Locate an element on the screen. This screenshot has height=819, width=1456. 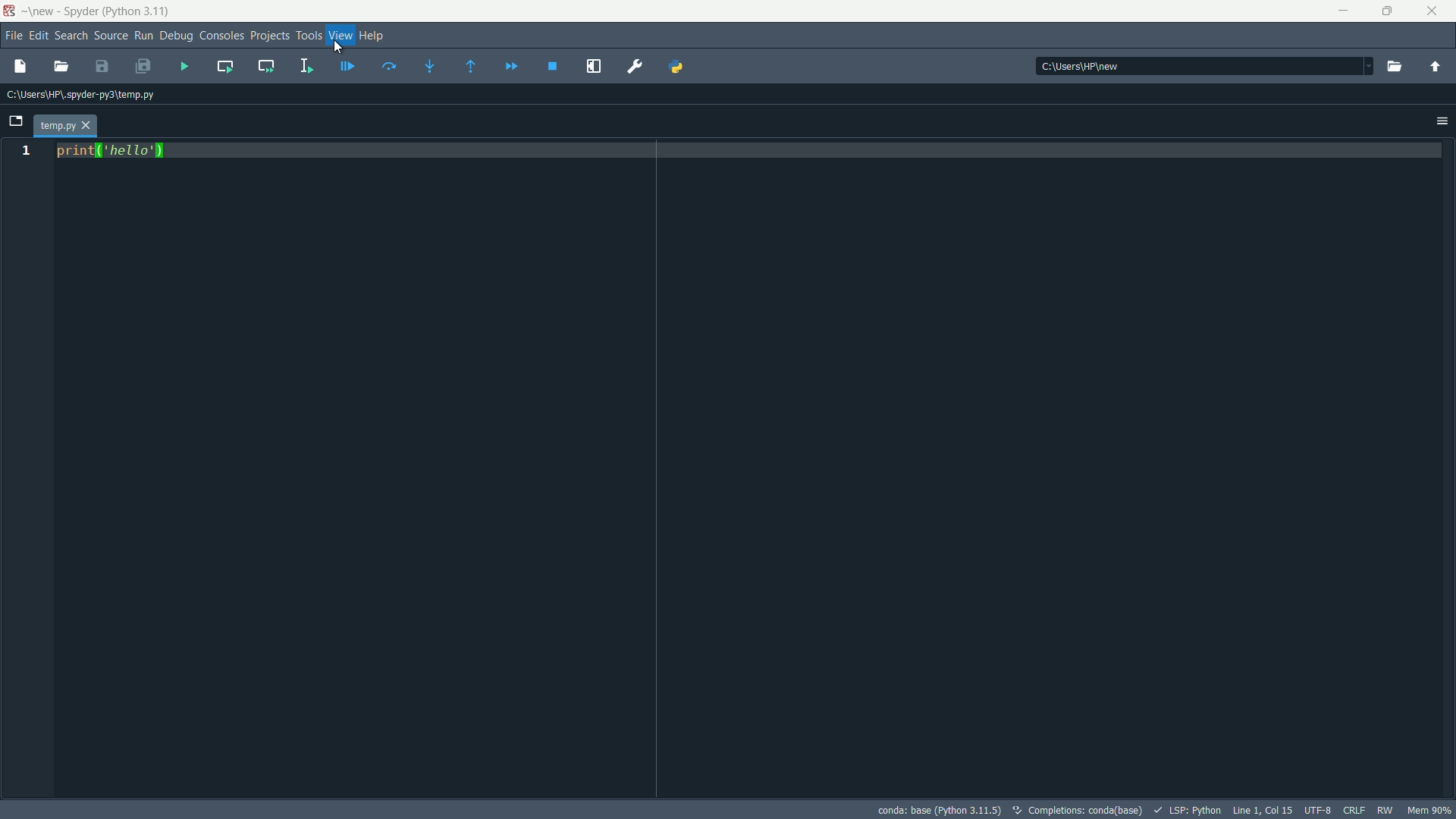
run selection is located at coordinates (306, 67).